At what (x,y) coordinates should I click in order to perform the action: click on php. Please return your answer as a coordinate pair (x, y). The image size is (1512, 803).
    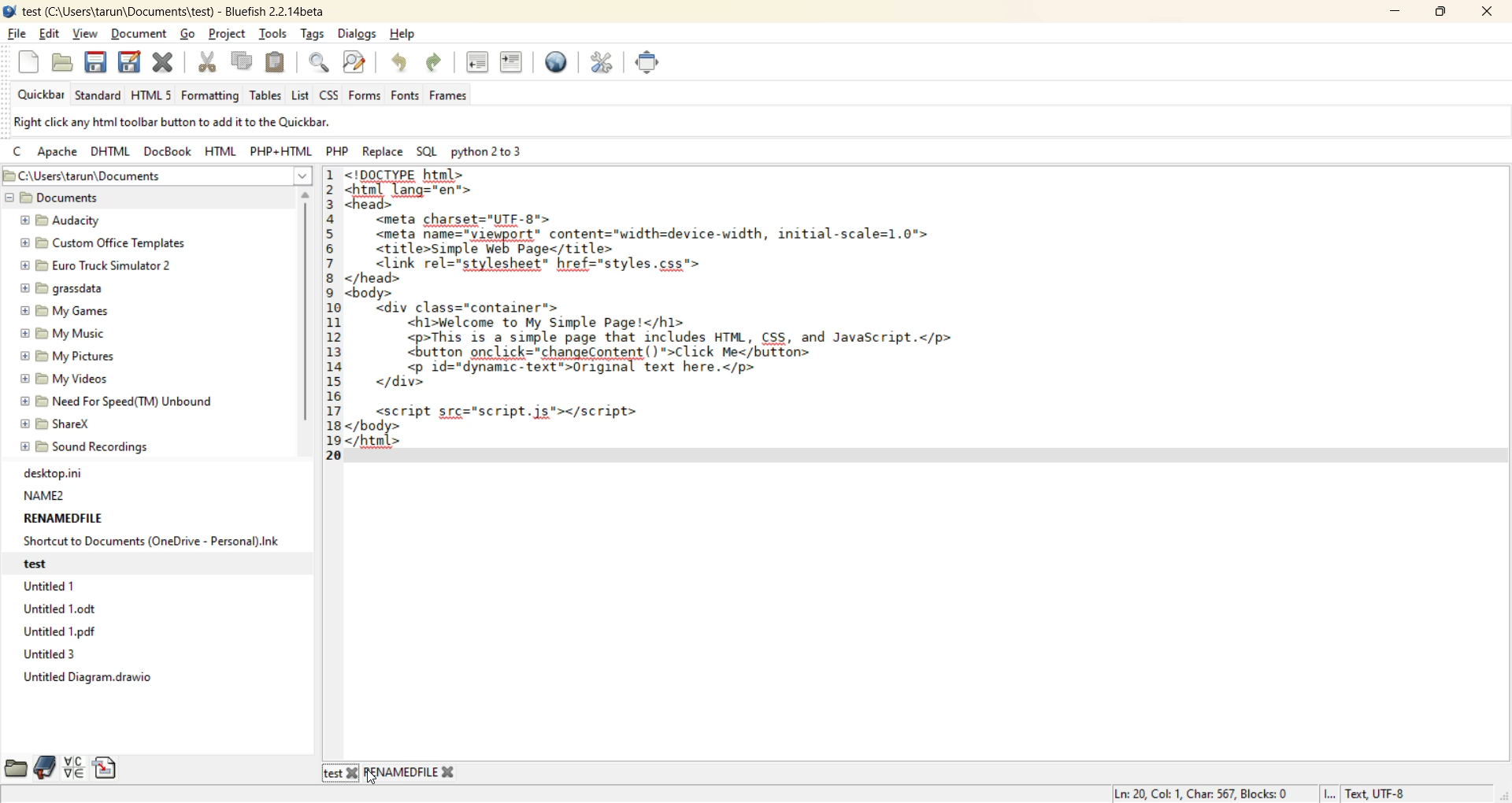
    Looking at the image, I should click on (341, 154).